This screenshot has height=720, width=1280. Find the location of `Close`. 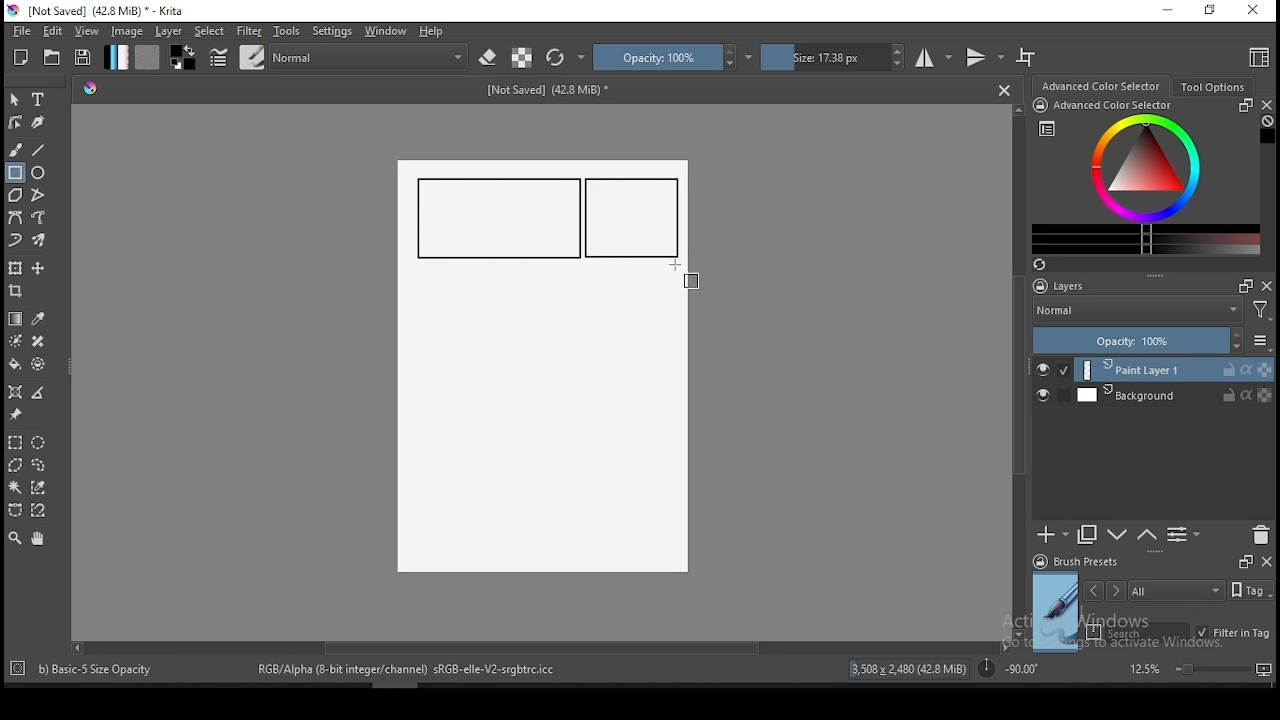

Close is located at coordinates (1004, 89).